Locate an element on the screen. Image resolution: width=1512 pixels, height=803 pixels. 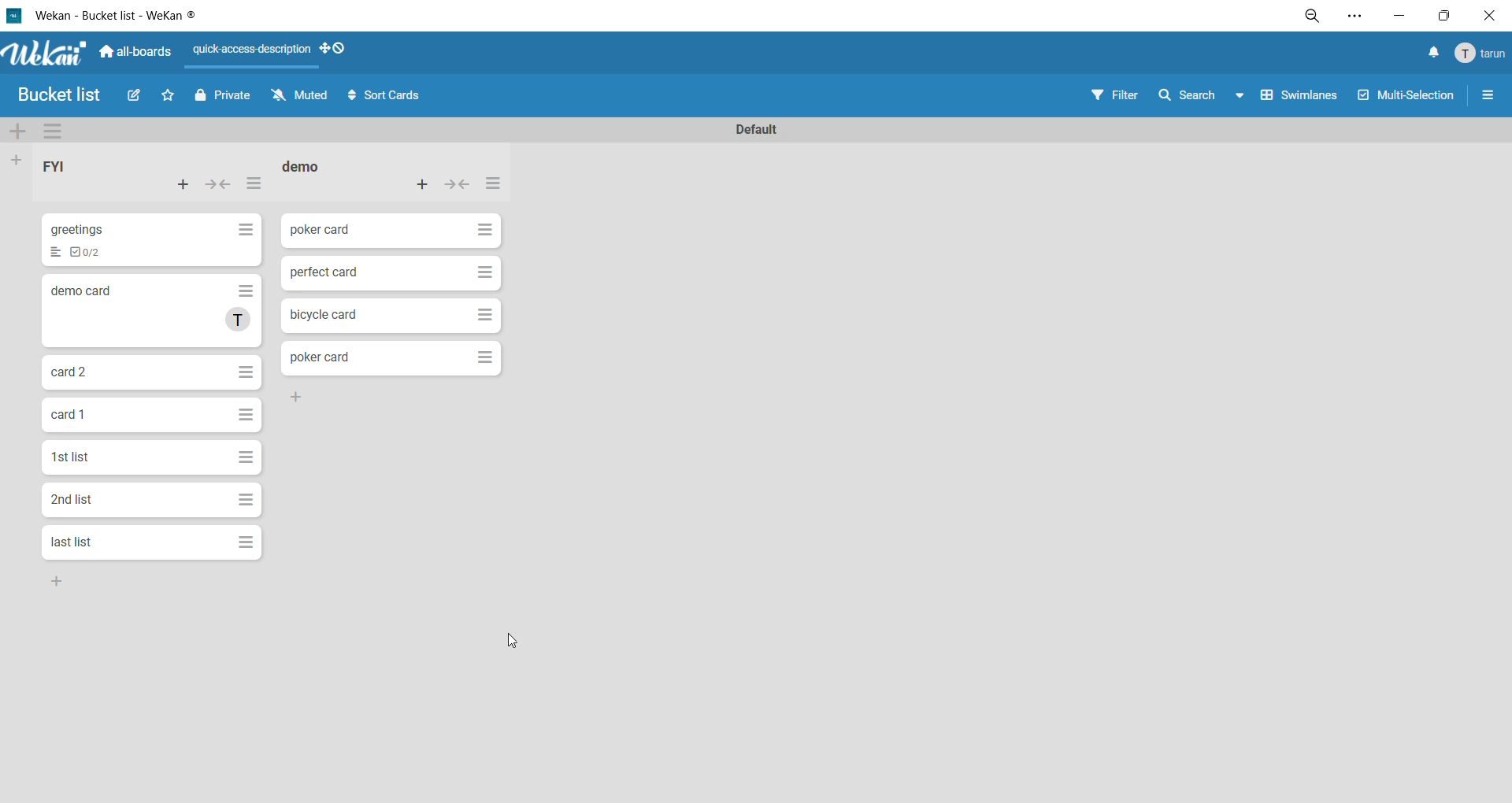
Bucket list is located at coordinates (64, 96).